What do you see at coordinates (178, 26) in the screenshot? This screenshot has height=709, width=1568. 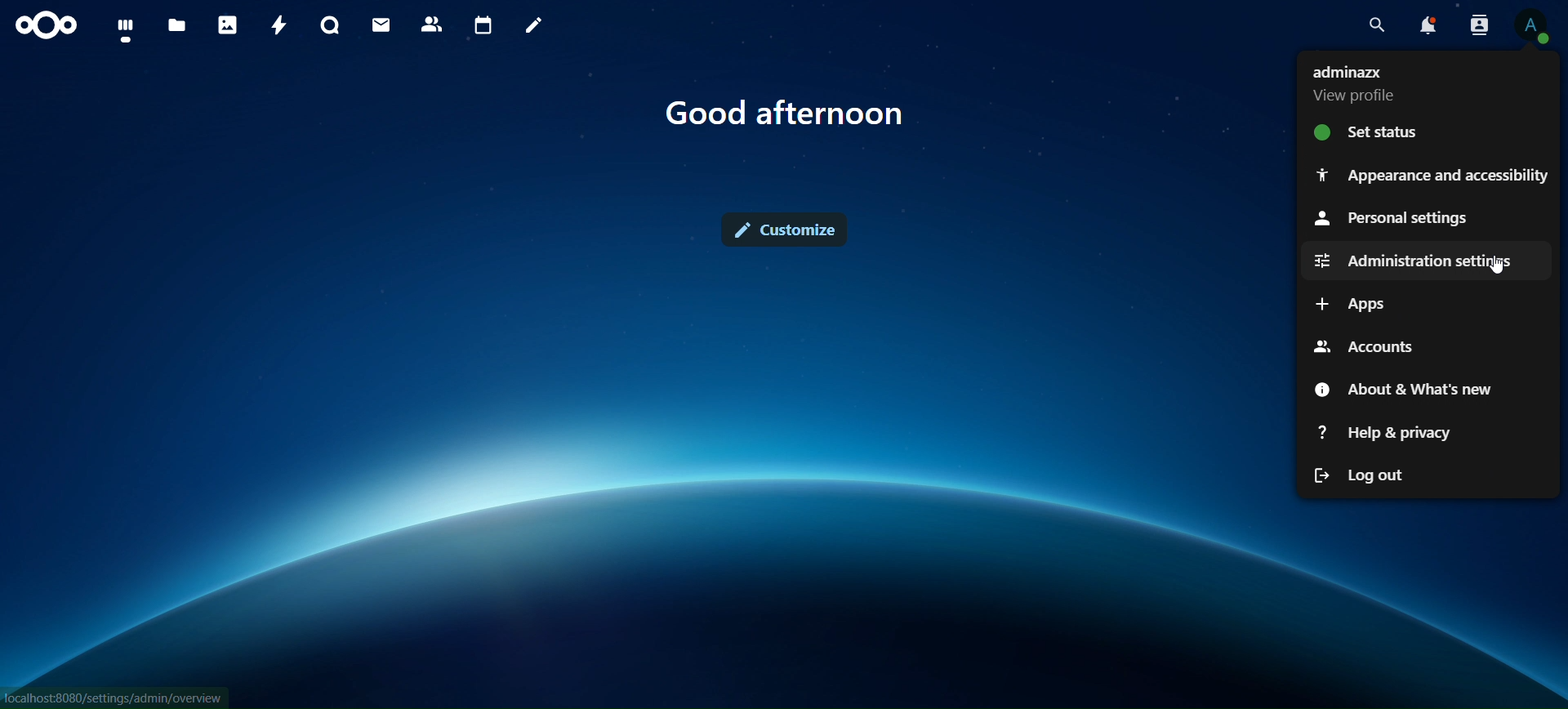 I see `files` at bounding box center [178, 26].